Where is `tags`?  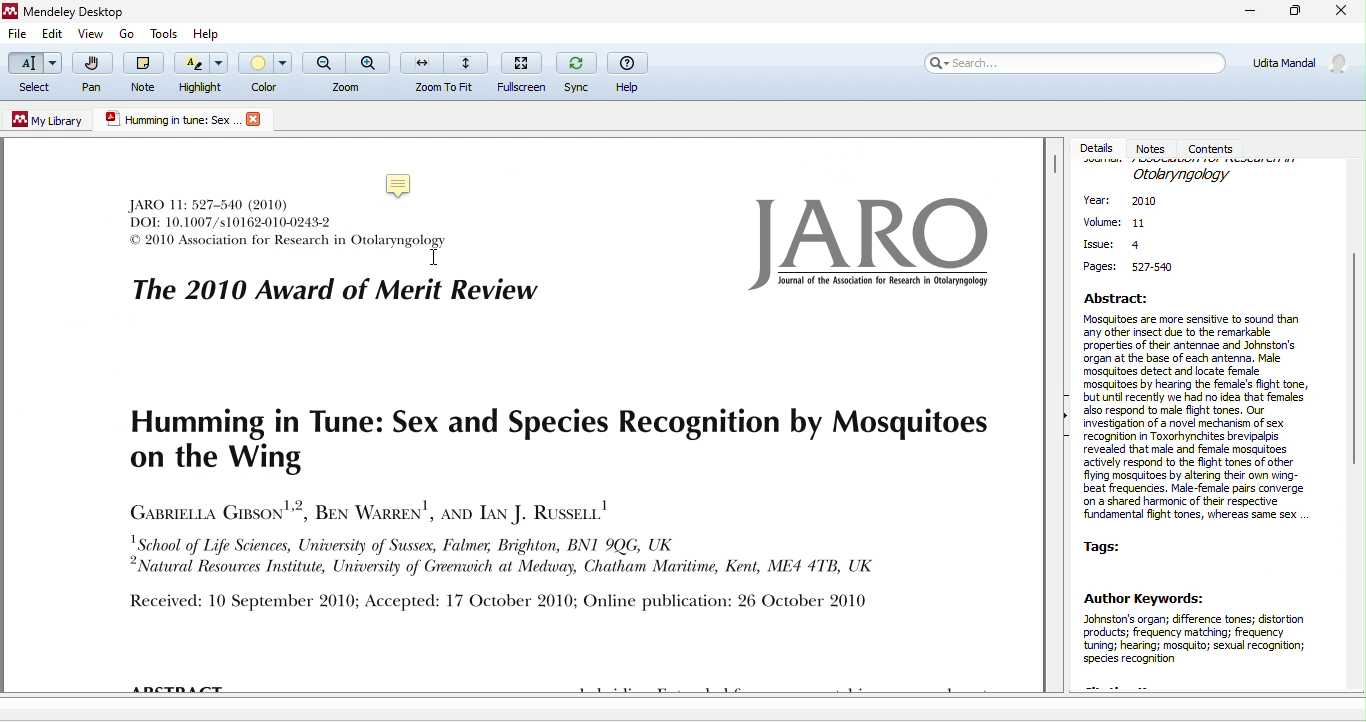
tags is located at coordinates (1111, 546).